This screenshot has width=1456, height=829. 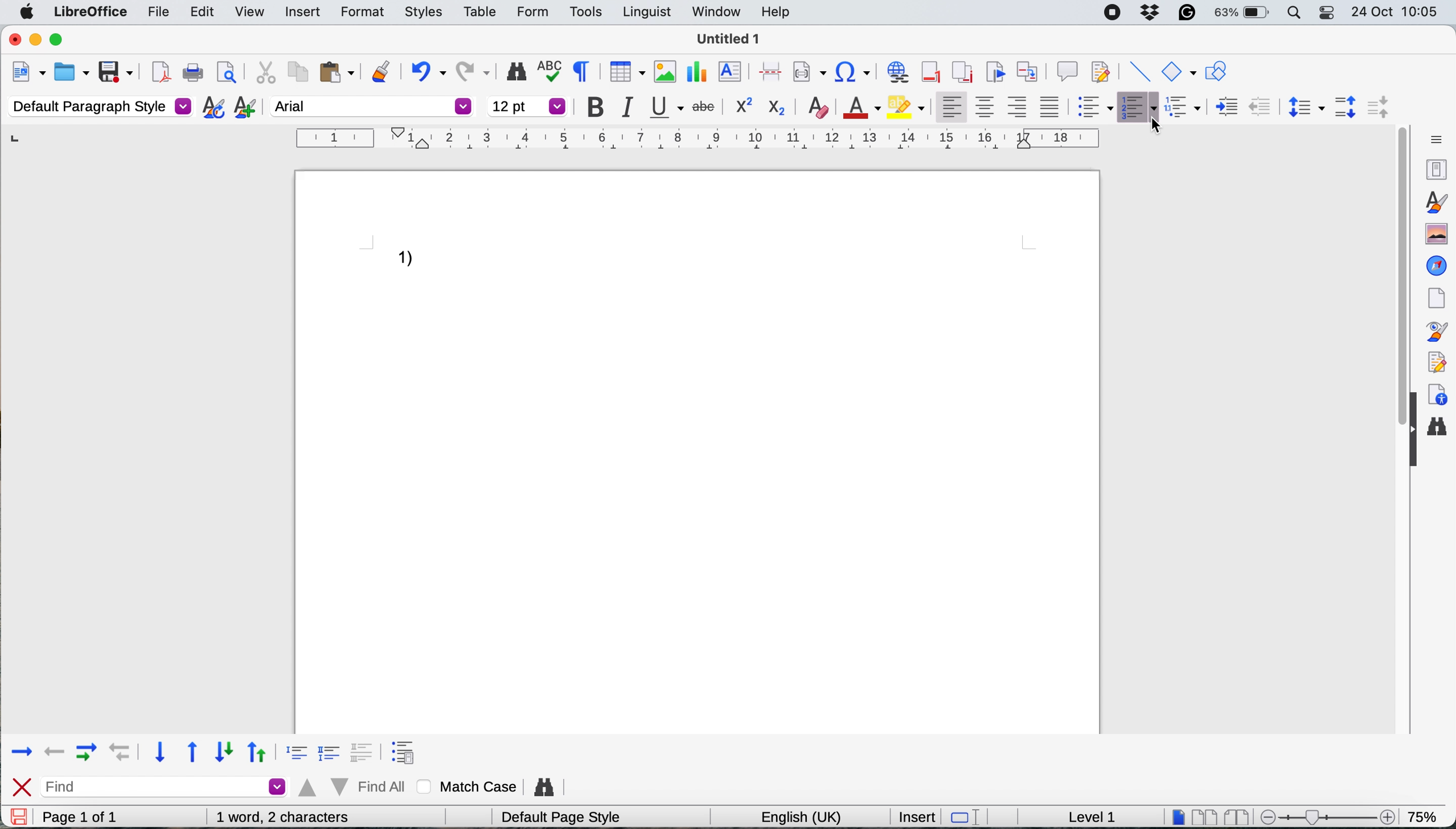 I want to click on close, so click(x=22, y=787).